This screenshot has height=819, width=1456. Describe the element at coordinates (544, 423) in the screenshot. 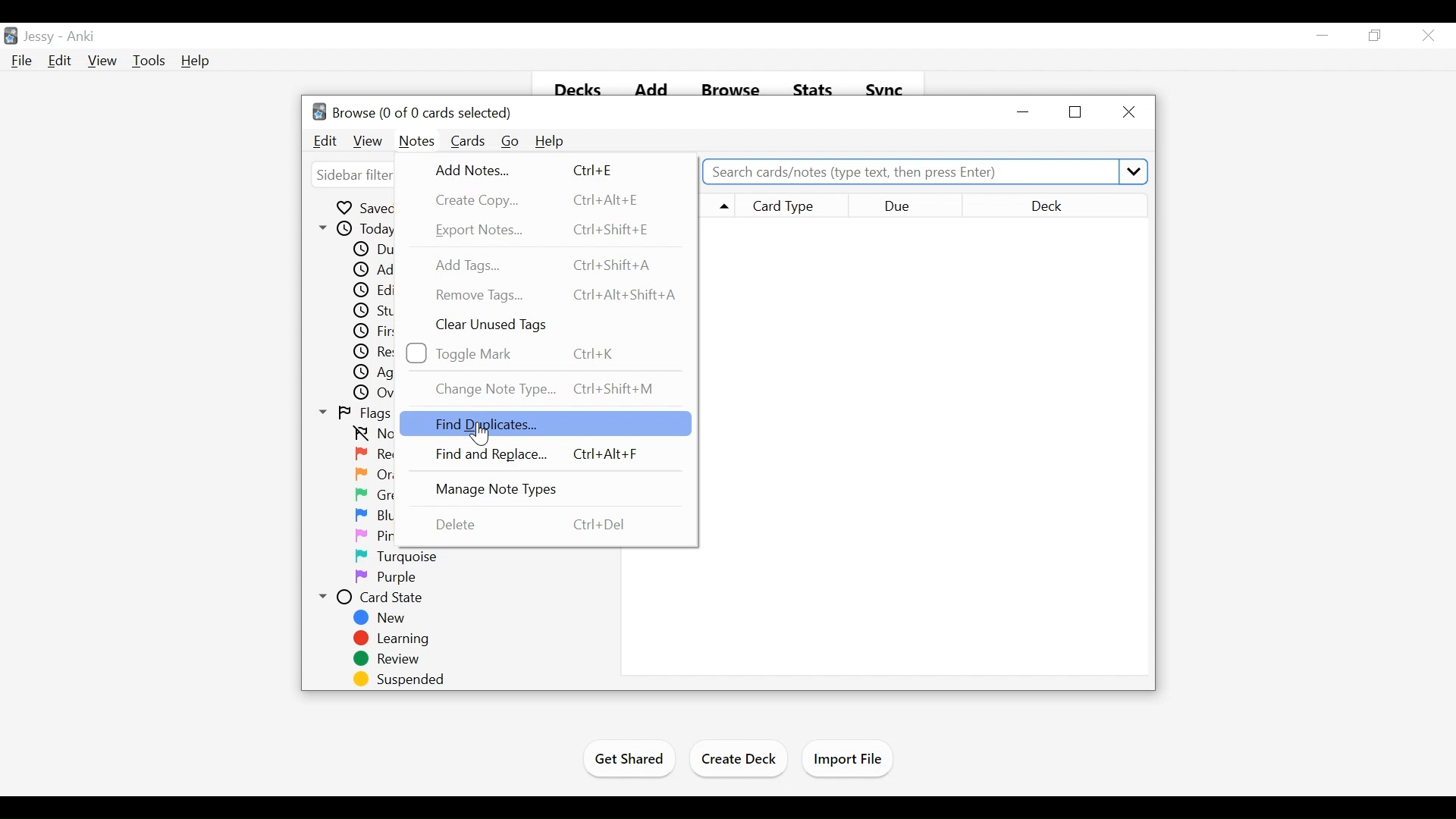

I see `Find Duplicates` at that location.